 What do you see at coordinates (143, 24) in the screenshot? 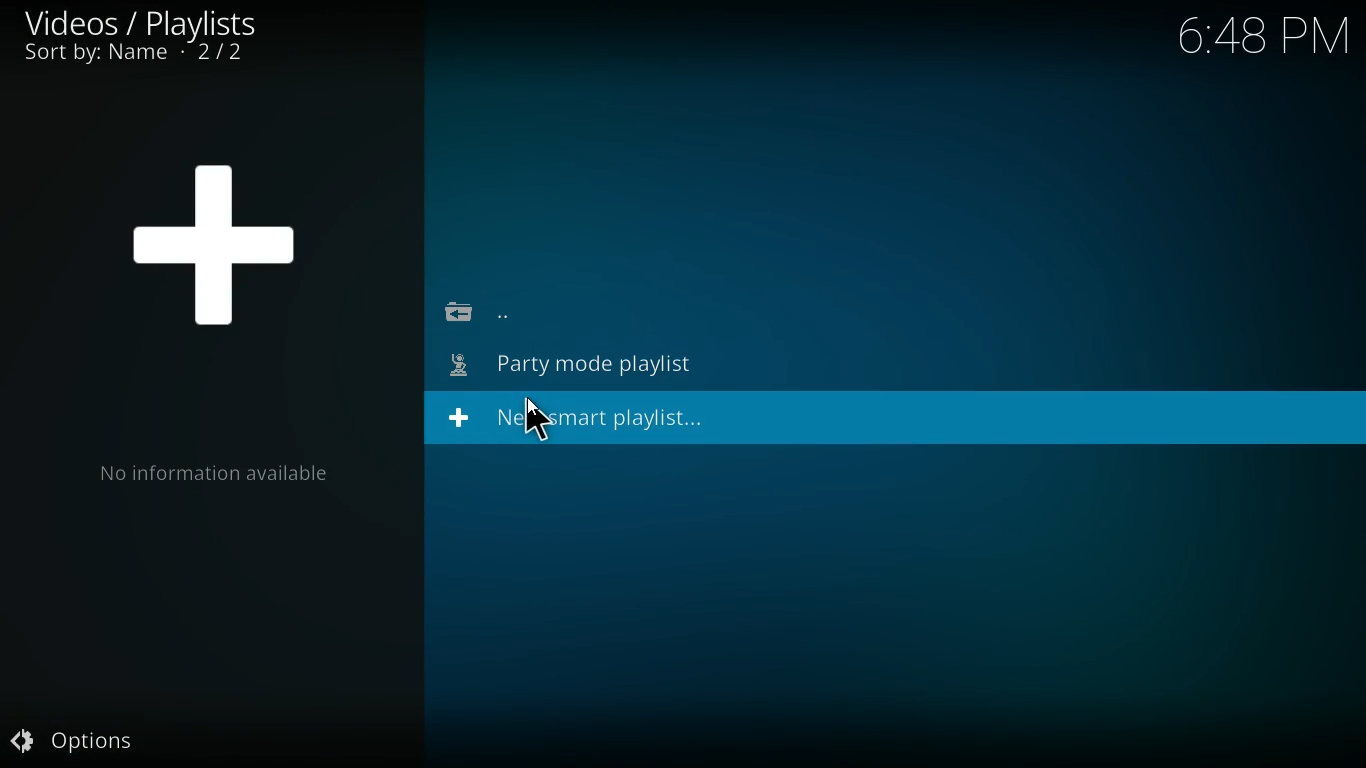
I see `videos/plaaylists` at bounding box center [143, 24].